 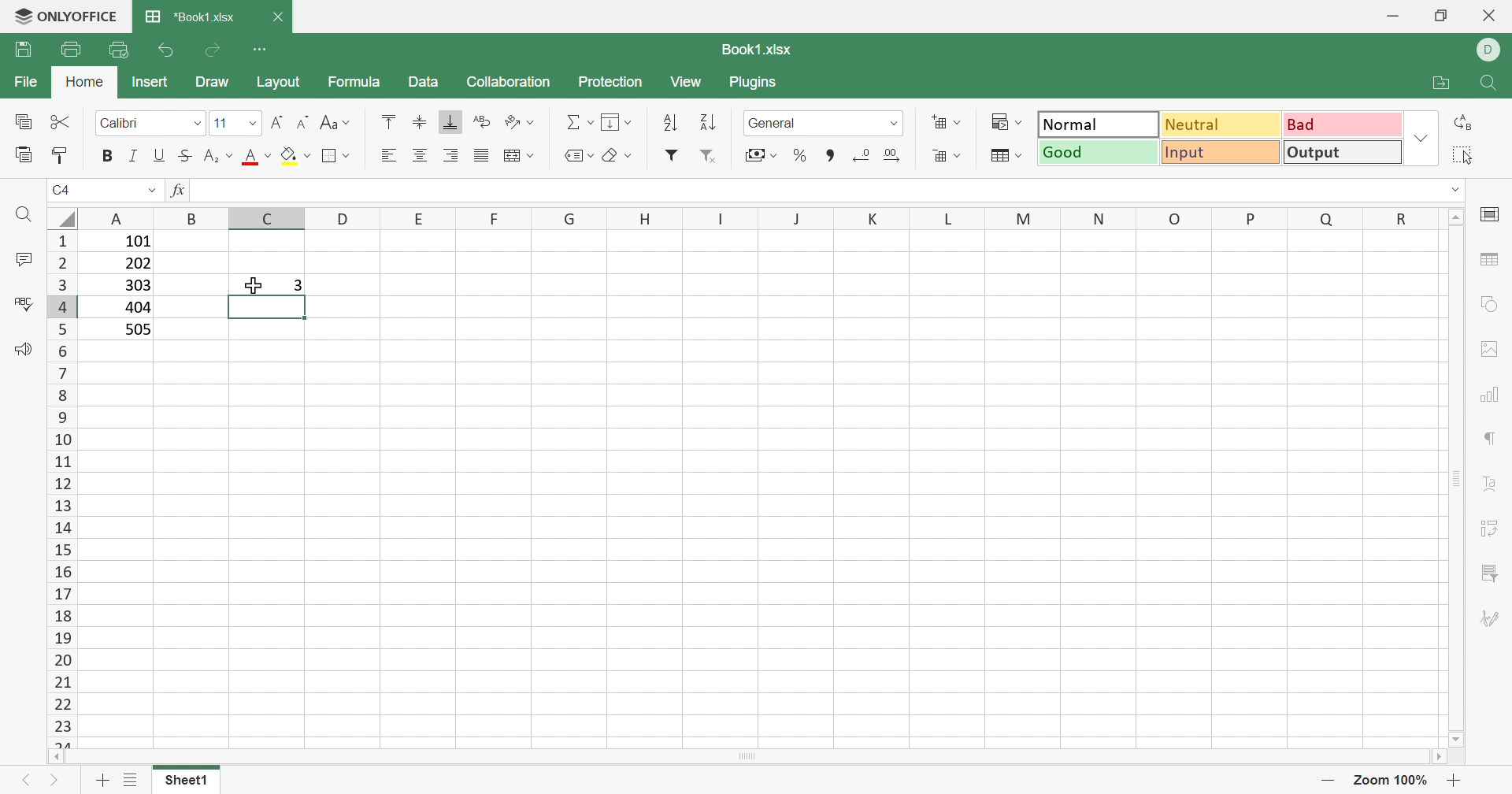 I want to click on Strikethrough, so click(x=185, y=157).